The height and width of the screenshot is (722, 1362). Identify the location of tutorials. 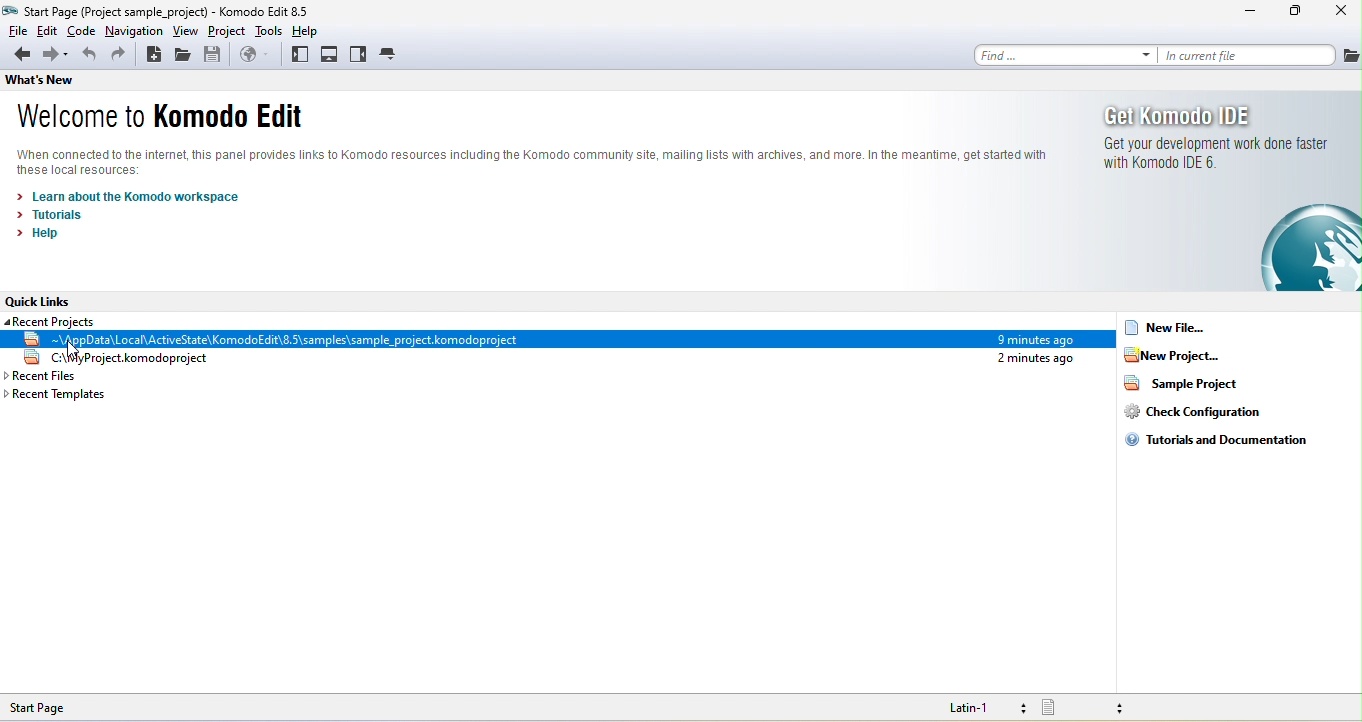
(54, 216).